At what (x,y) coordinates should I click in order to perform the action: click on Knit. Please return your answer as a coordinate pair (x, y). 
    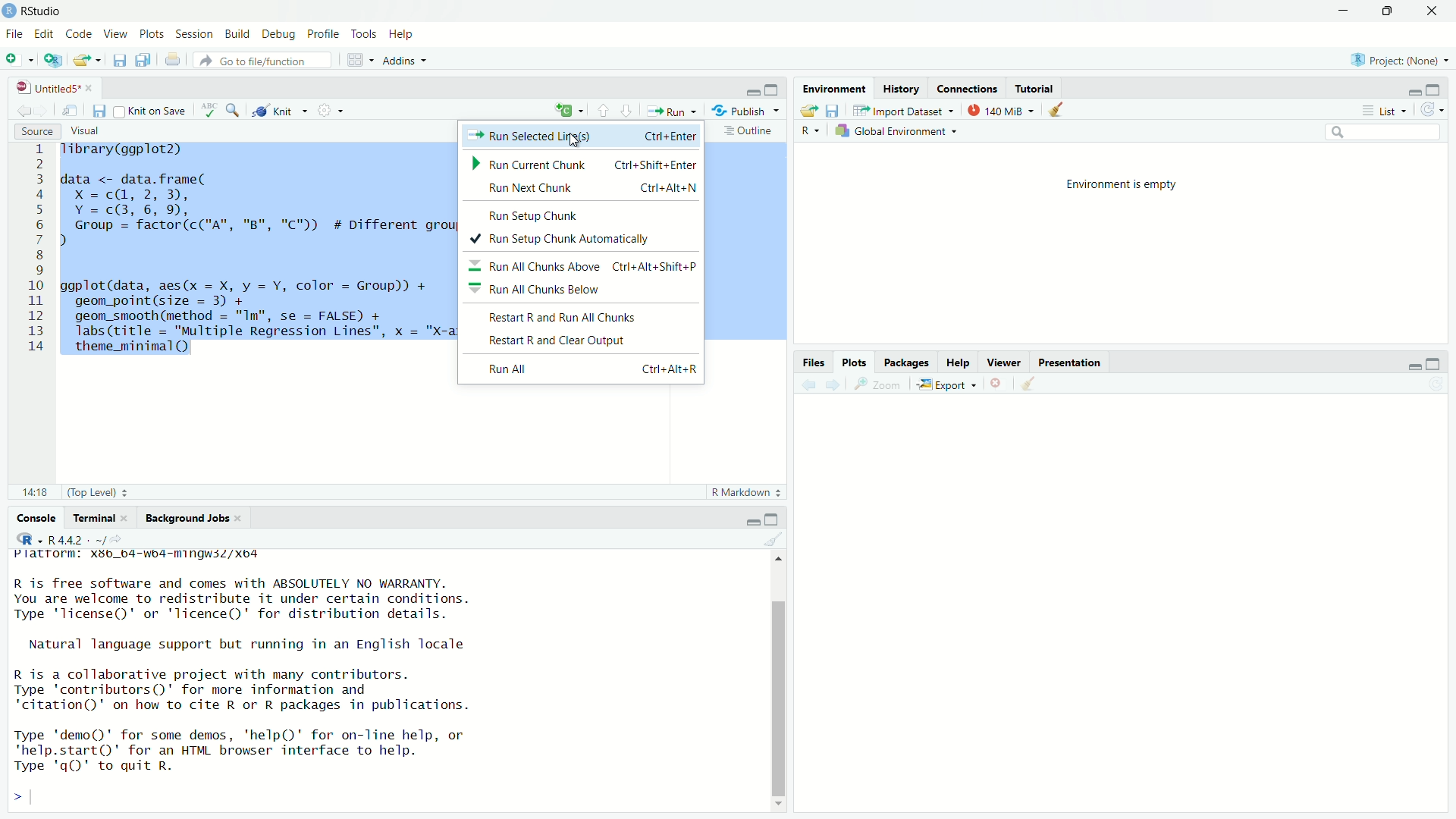
    Looking at the image, I should click on (281, 111).